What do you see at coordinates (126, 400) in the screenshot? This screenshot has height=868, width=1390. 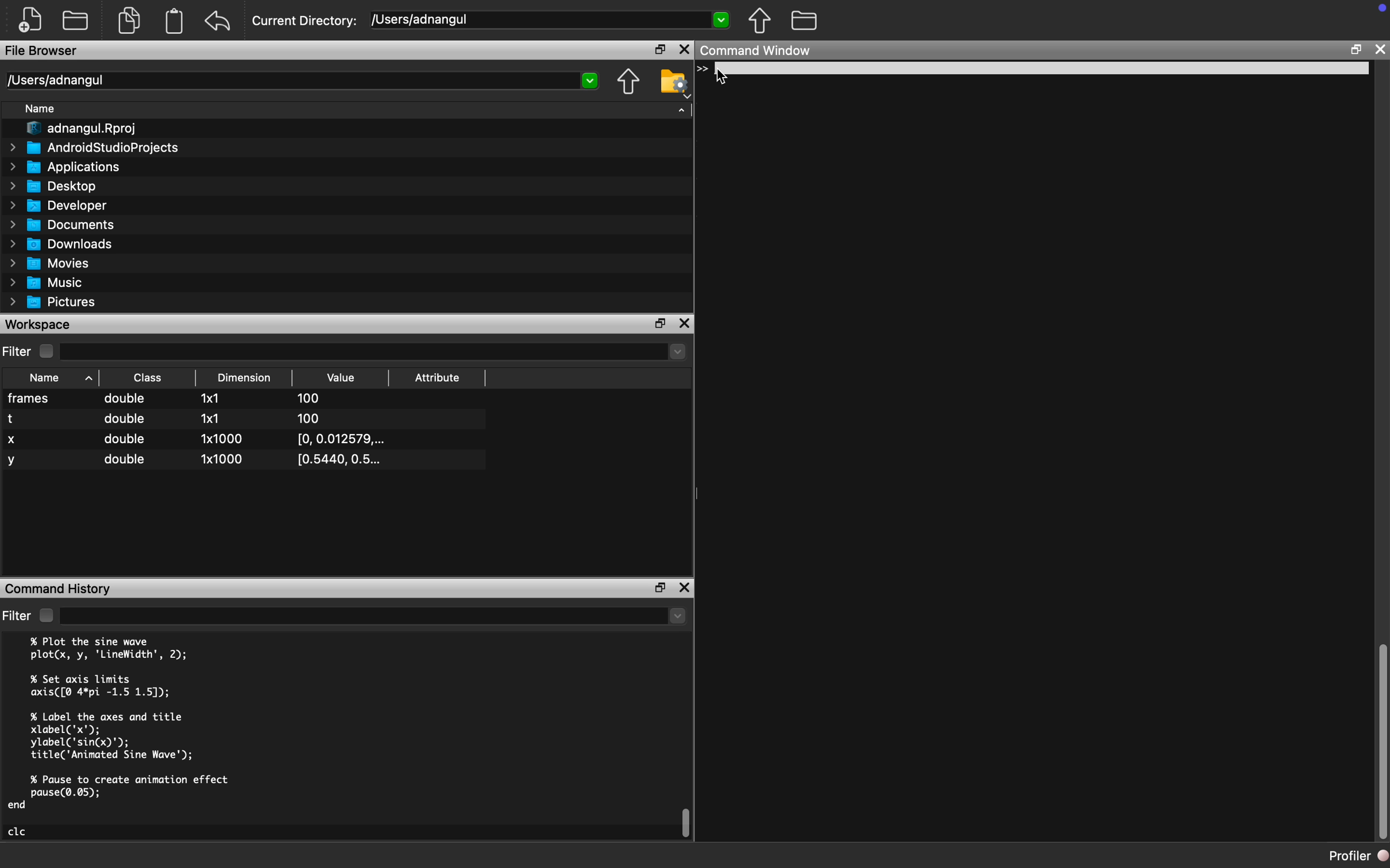 I see `double` at bounding box center [126, 400].